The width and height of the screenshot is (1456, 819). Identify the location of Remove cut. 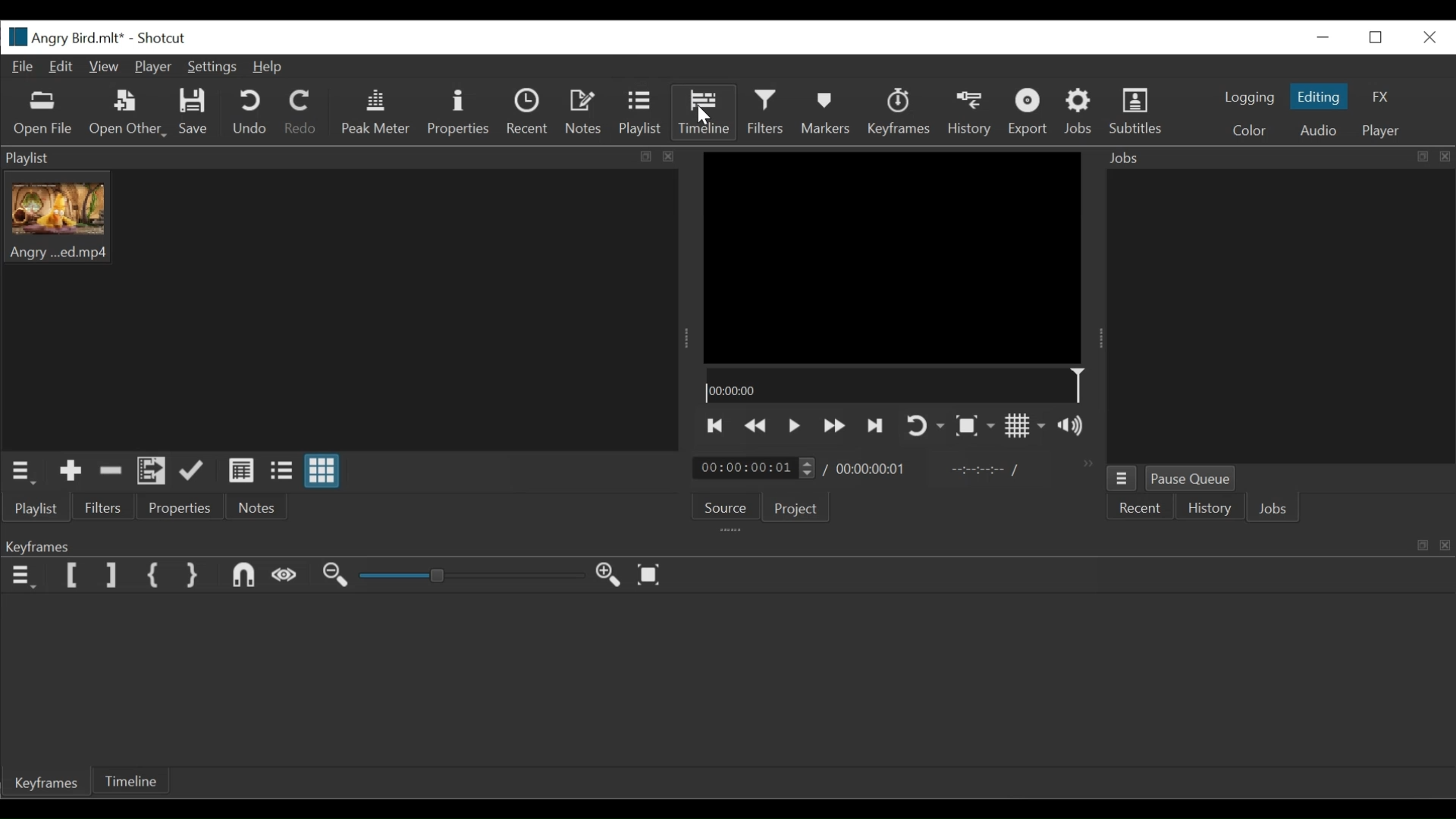
(112, 474).